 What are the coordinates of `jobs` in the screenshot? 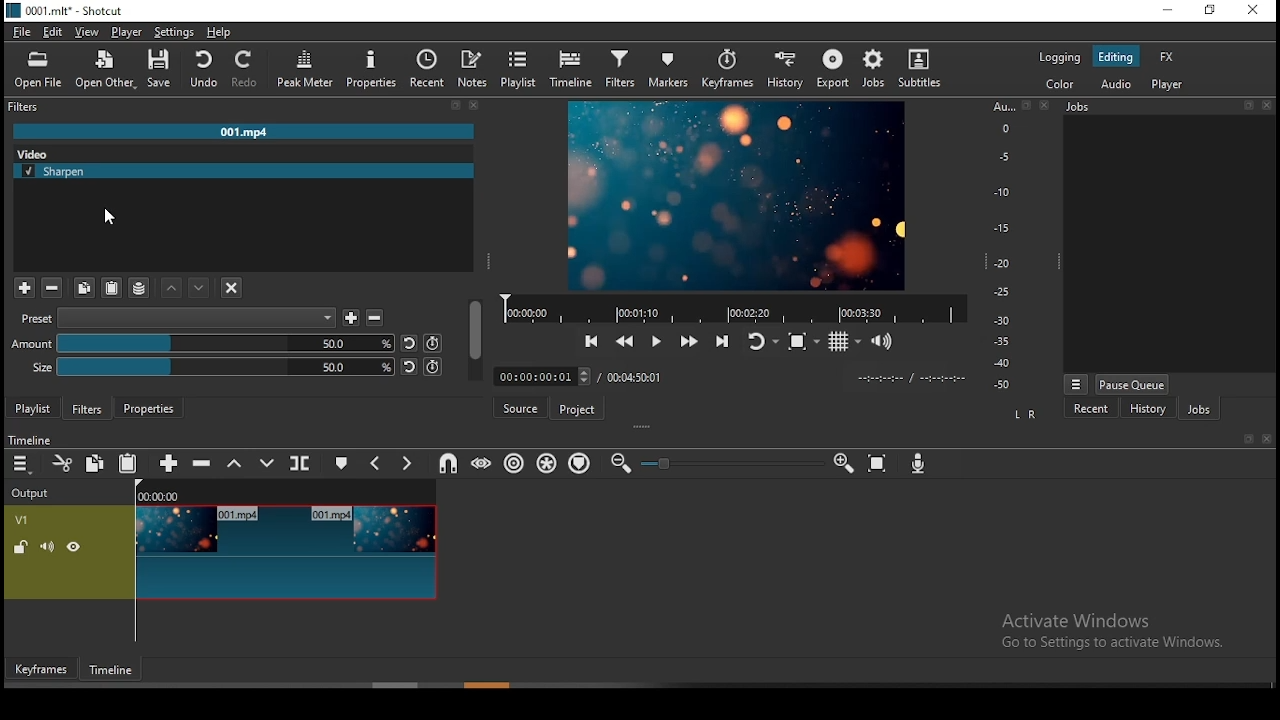 It's located at (873, 72).